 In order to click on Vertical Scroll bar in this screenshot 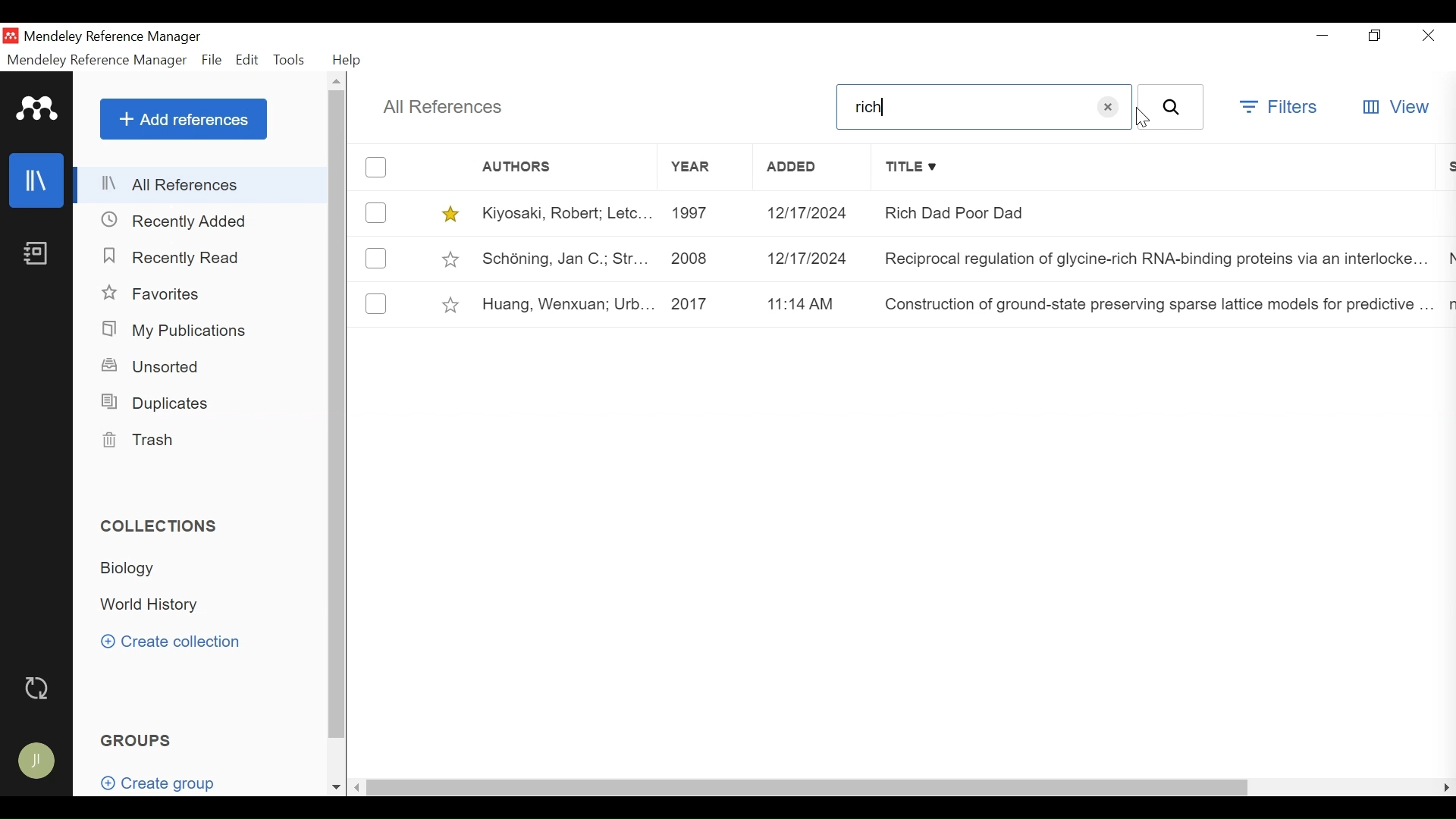, I will do `click(336, 415)`.